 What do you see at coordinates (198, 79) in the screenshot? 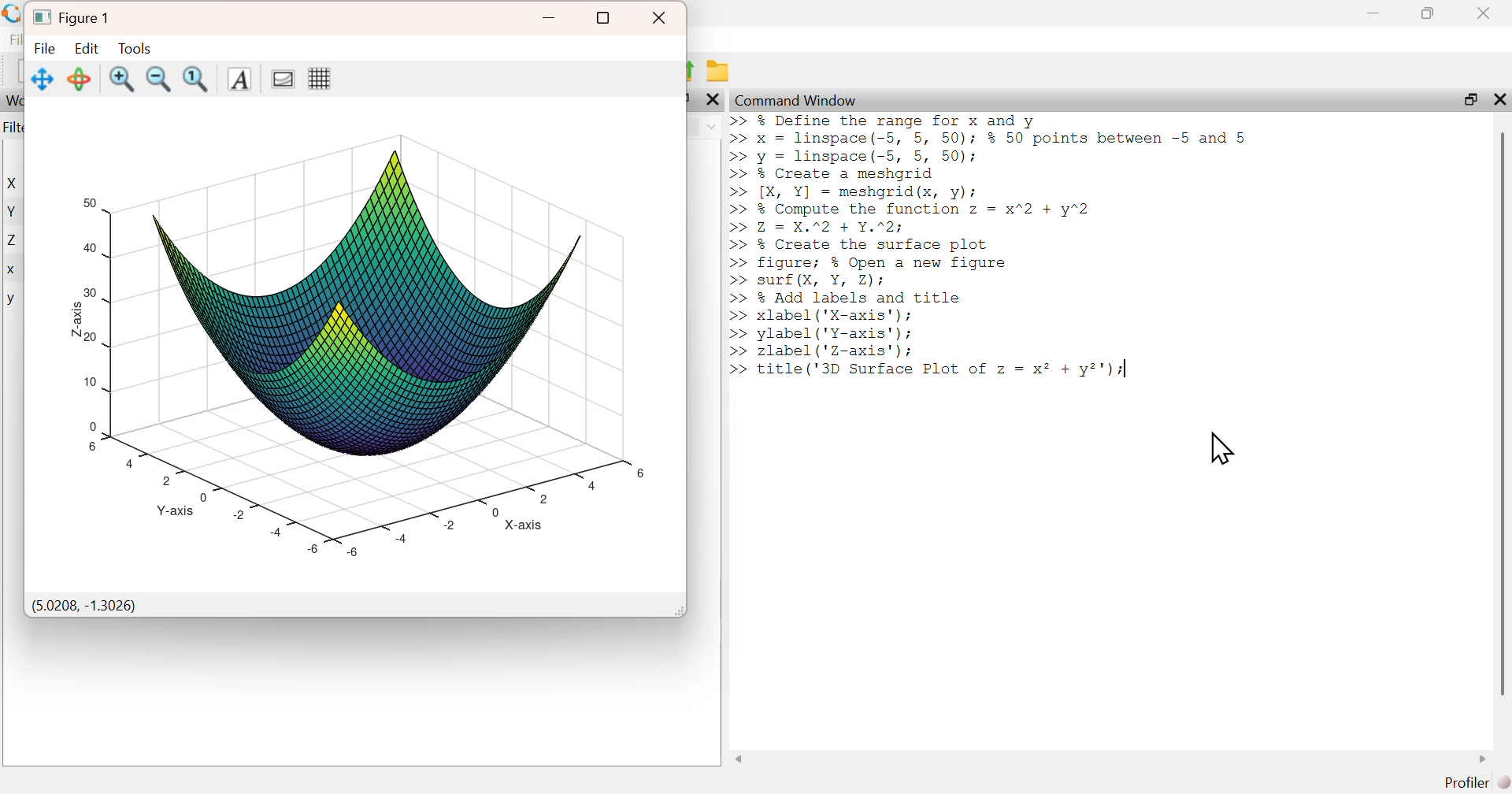
I see `fit to screen` at bounding box center [198, 79].